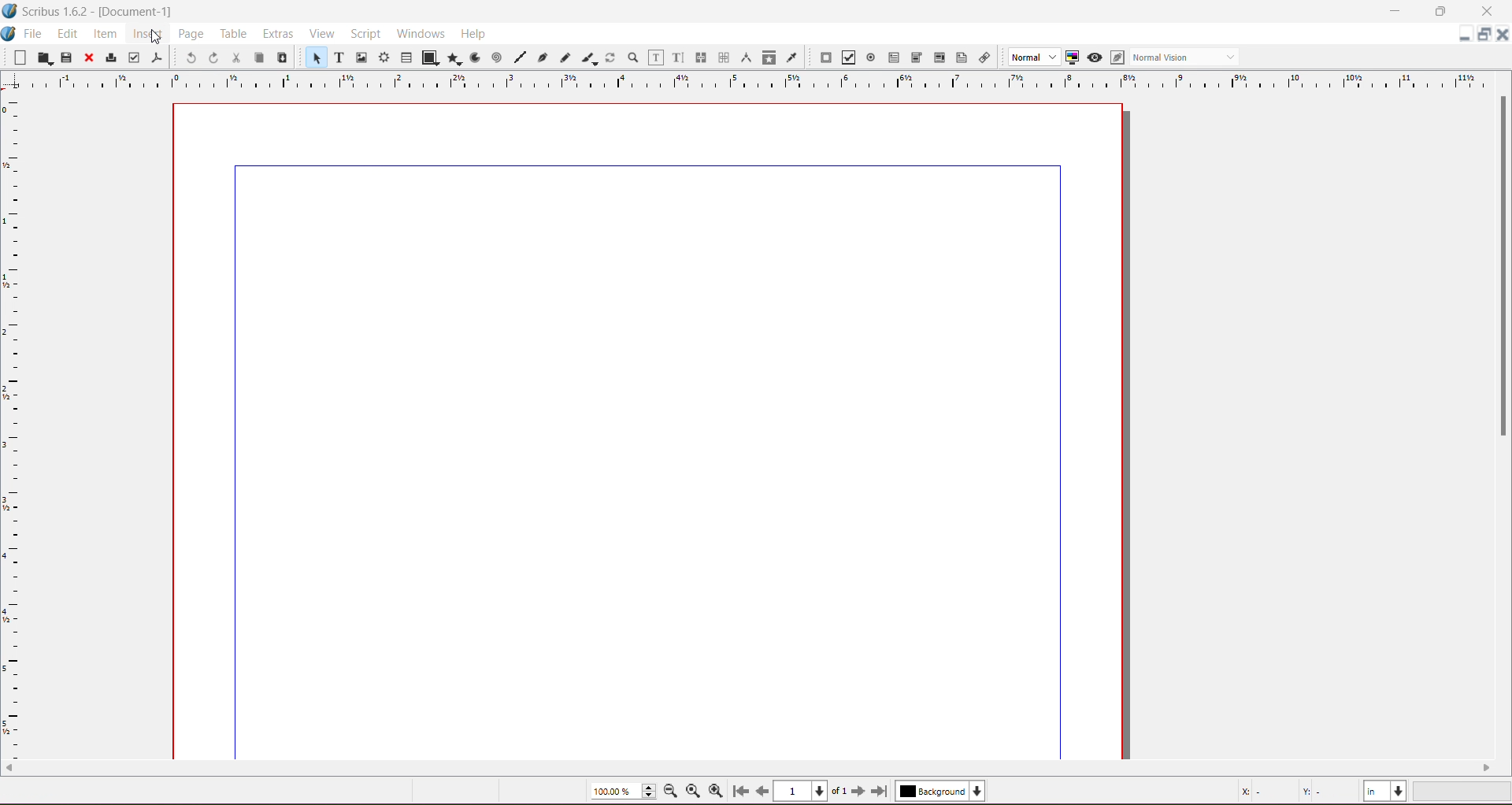  I want to click on Unlink Text Frames, so click(723, 57).